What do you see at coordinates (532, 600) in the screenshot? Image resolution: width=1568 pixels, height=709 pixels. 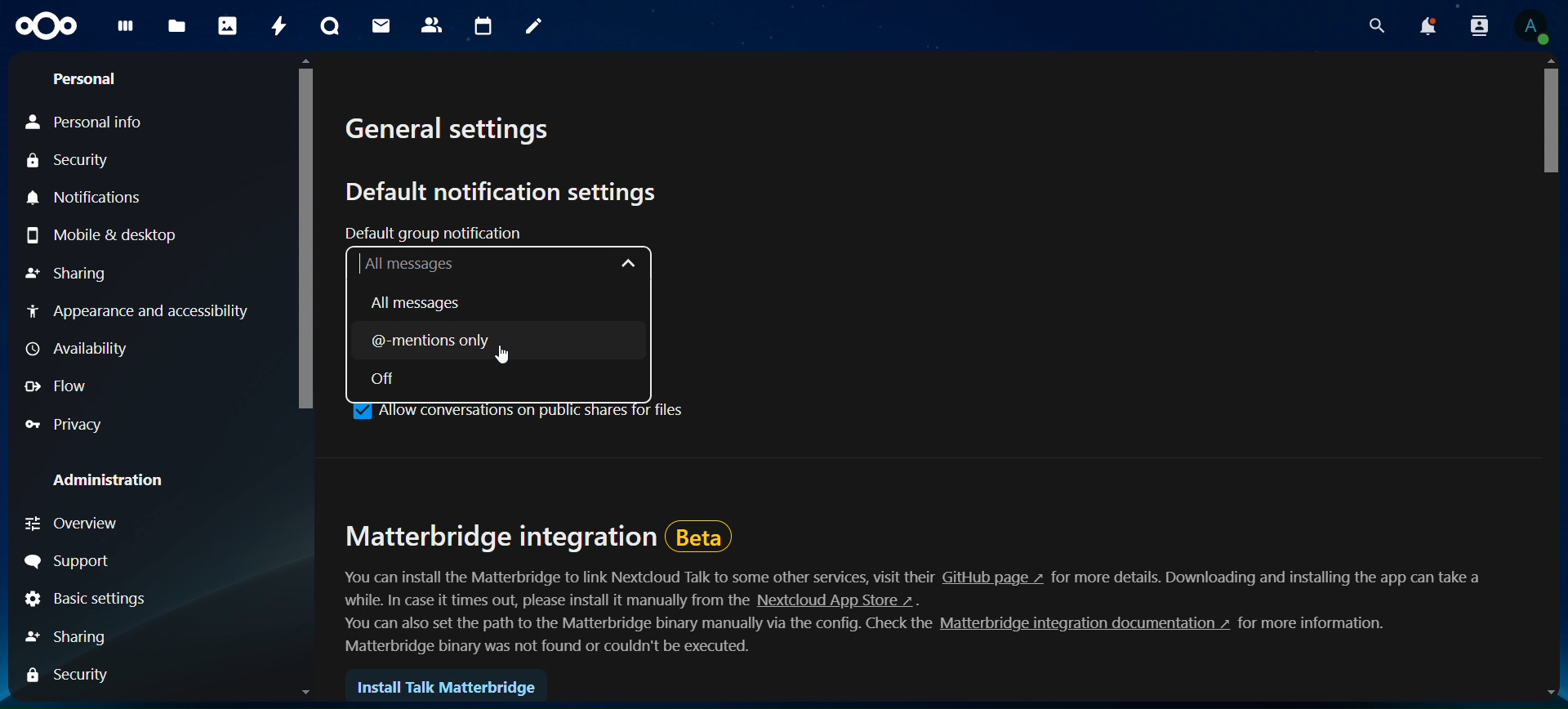 I see `text` at bounding box center [532, 600].